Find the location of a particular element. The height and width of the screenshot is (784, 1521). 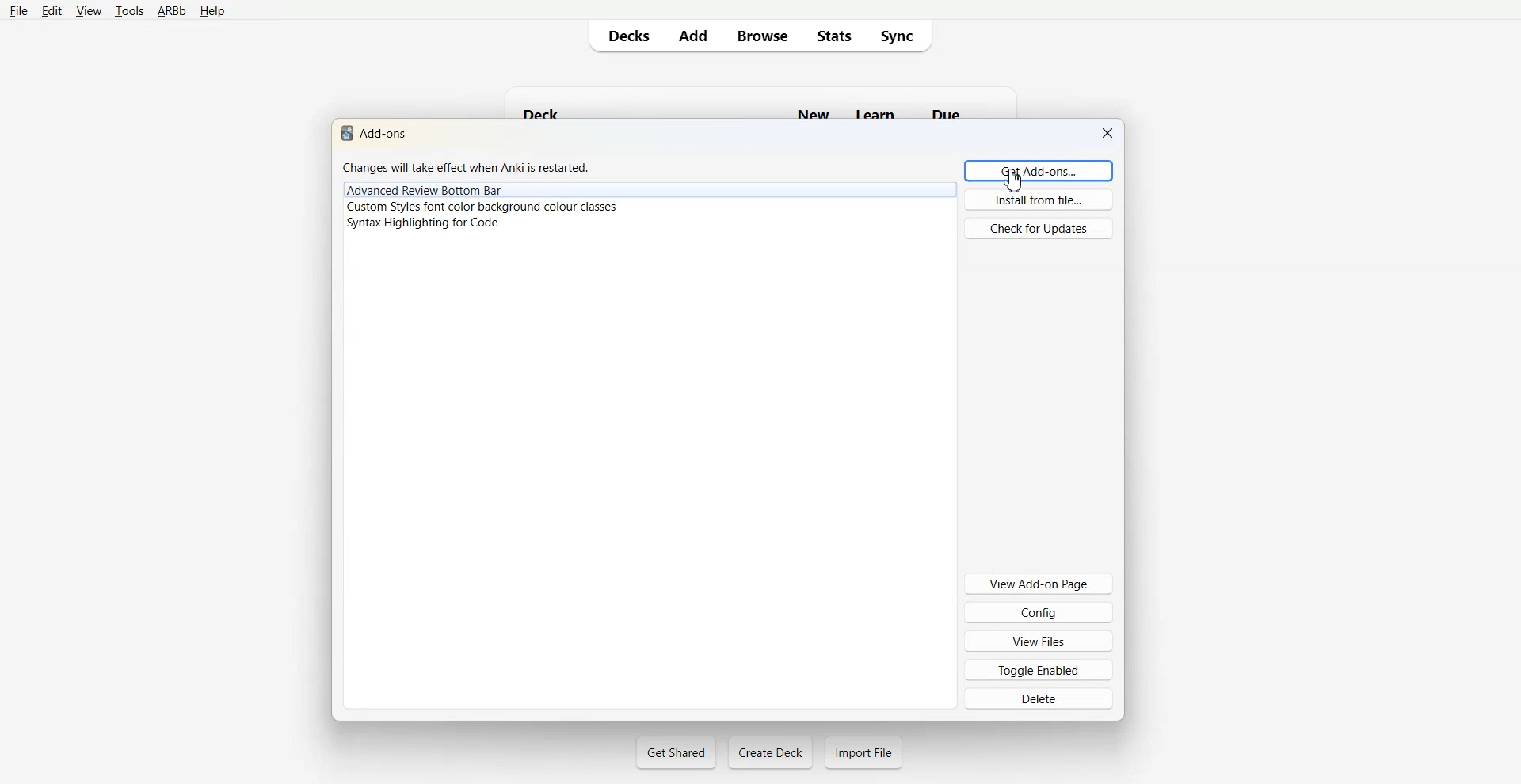

Syntax Highlight for code is located at coordinates (650, 223).